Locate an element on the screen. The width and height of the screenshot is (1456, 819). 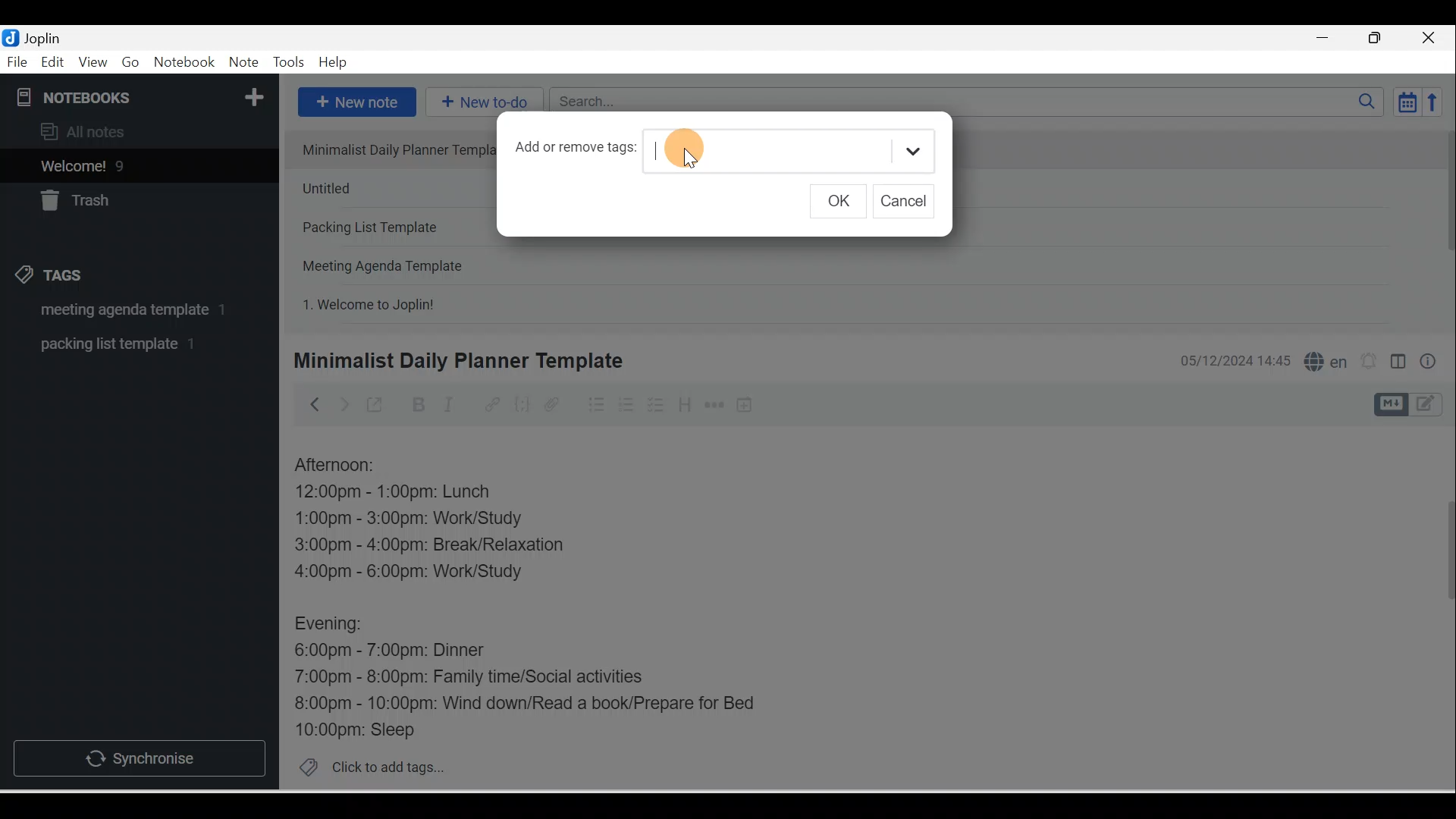
Note 4 is located at coordinates (403, 262).